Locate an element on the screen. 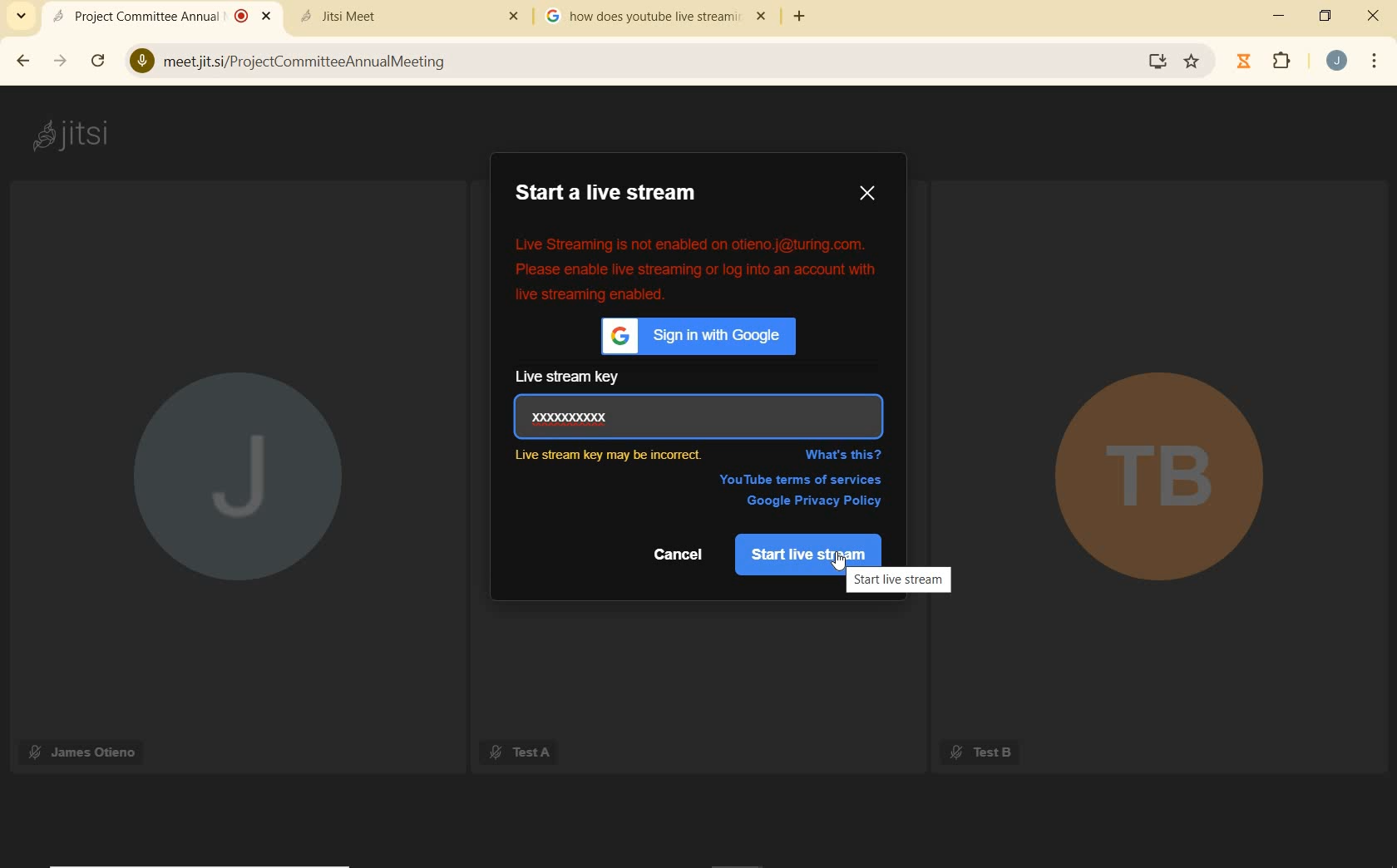 Image resolution: width=1397 pixels, height=868 pixels. extensions is located at coordinates (1286, 63).